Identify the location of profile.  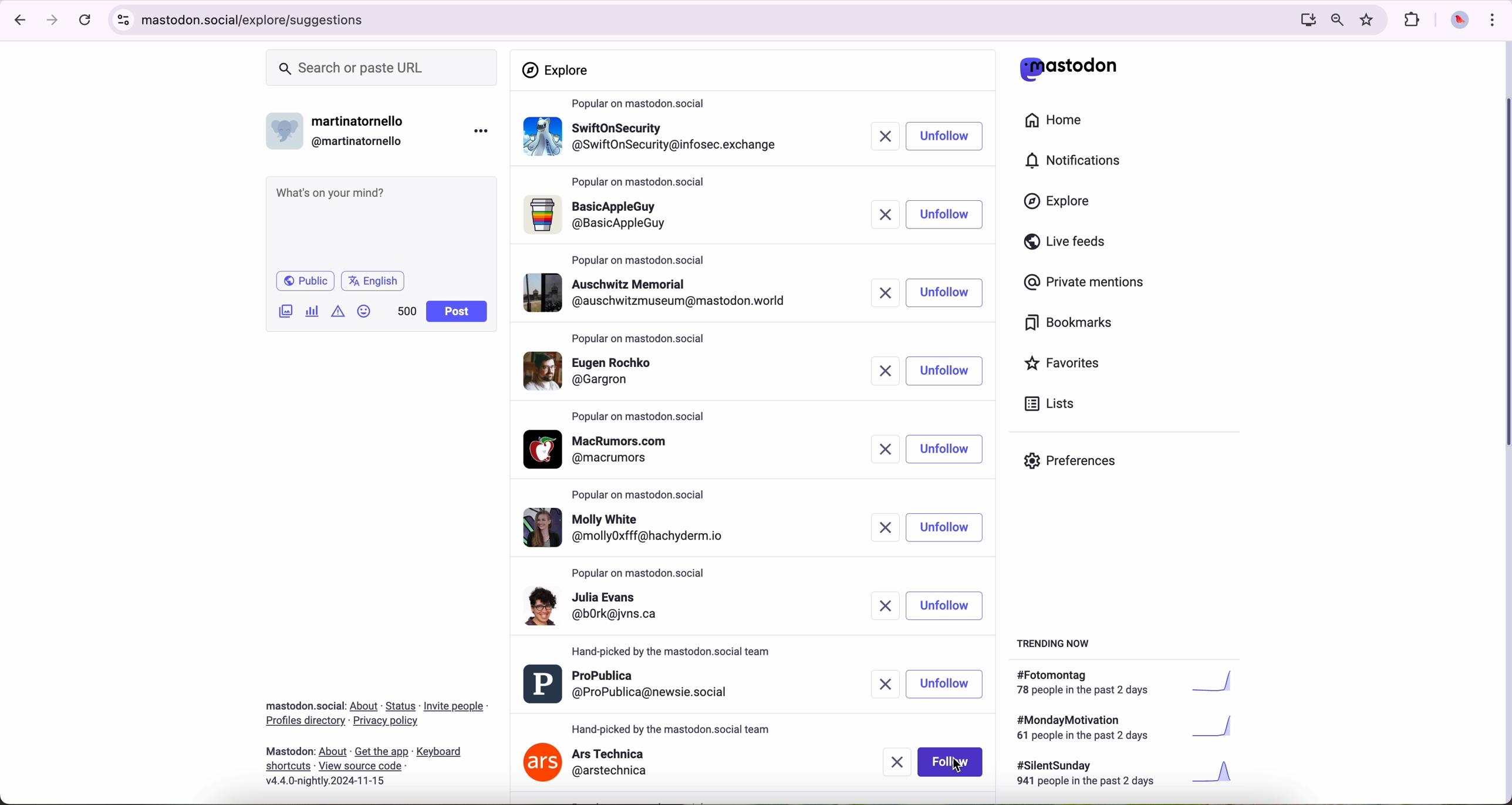
(653, 373).